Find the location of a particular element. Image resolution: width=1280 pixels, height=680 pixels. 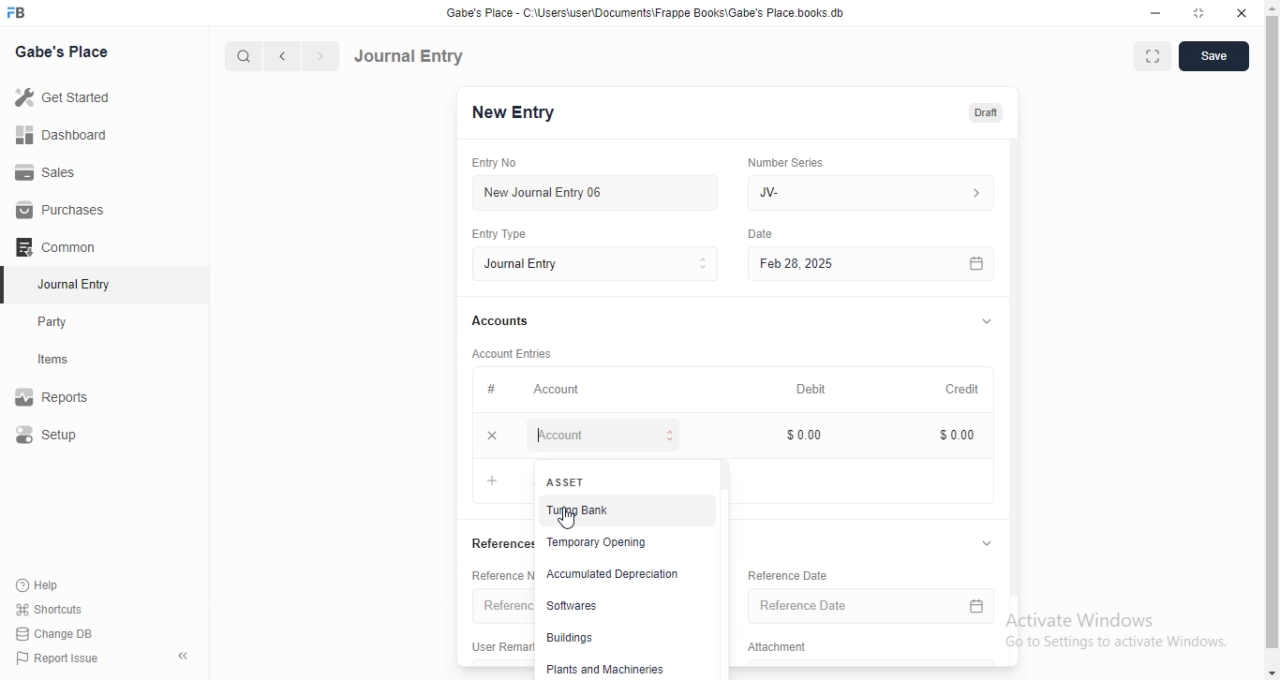

Common is located at coordinates (61, 247).